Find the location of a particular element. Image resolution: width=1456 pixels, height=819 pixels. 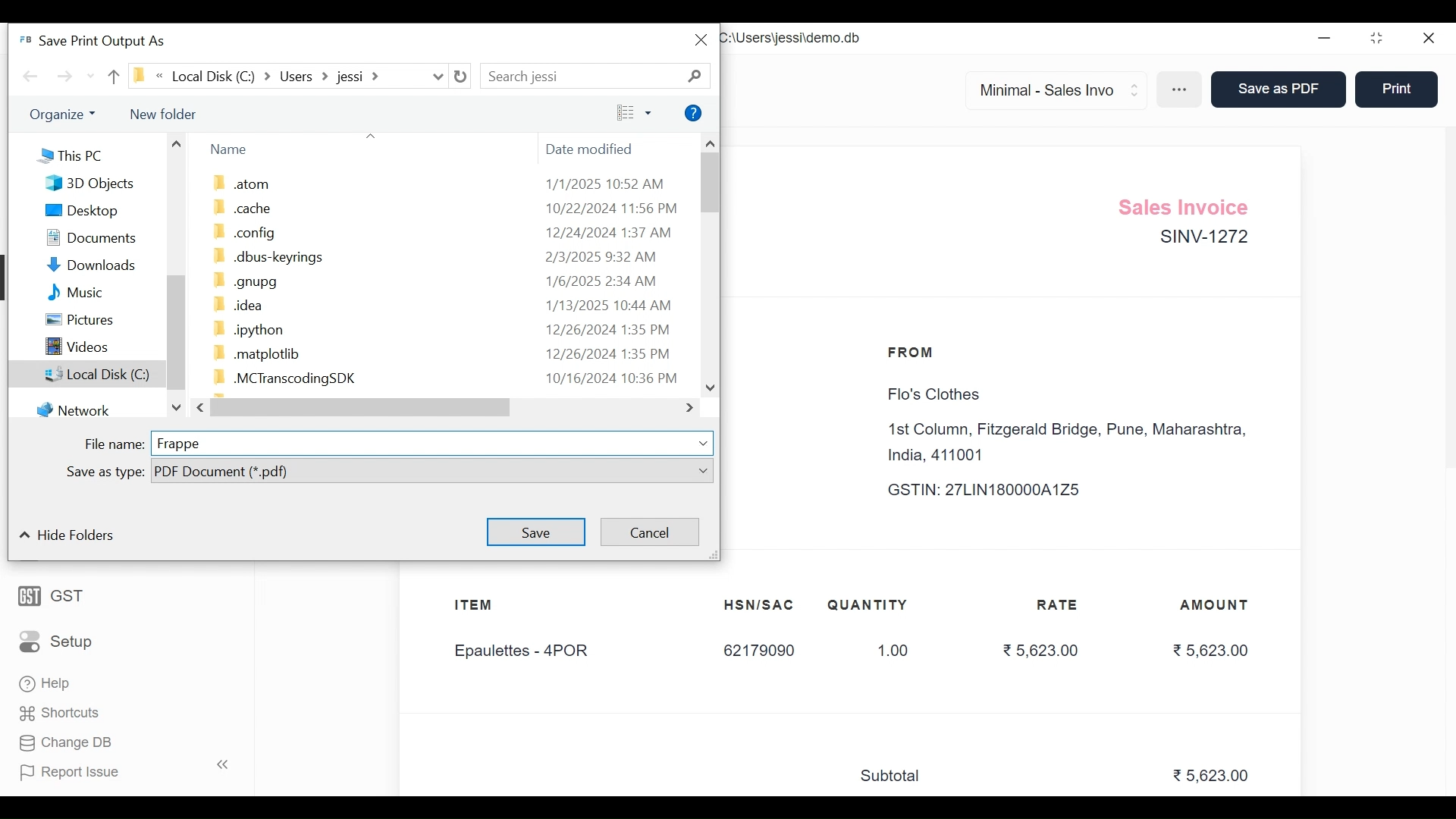

Save is located at coordinates (538, 533).